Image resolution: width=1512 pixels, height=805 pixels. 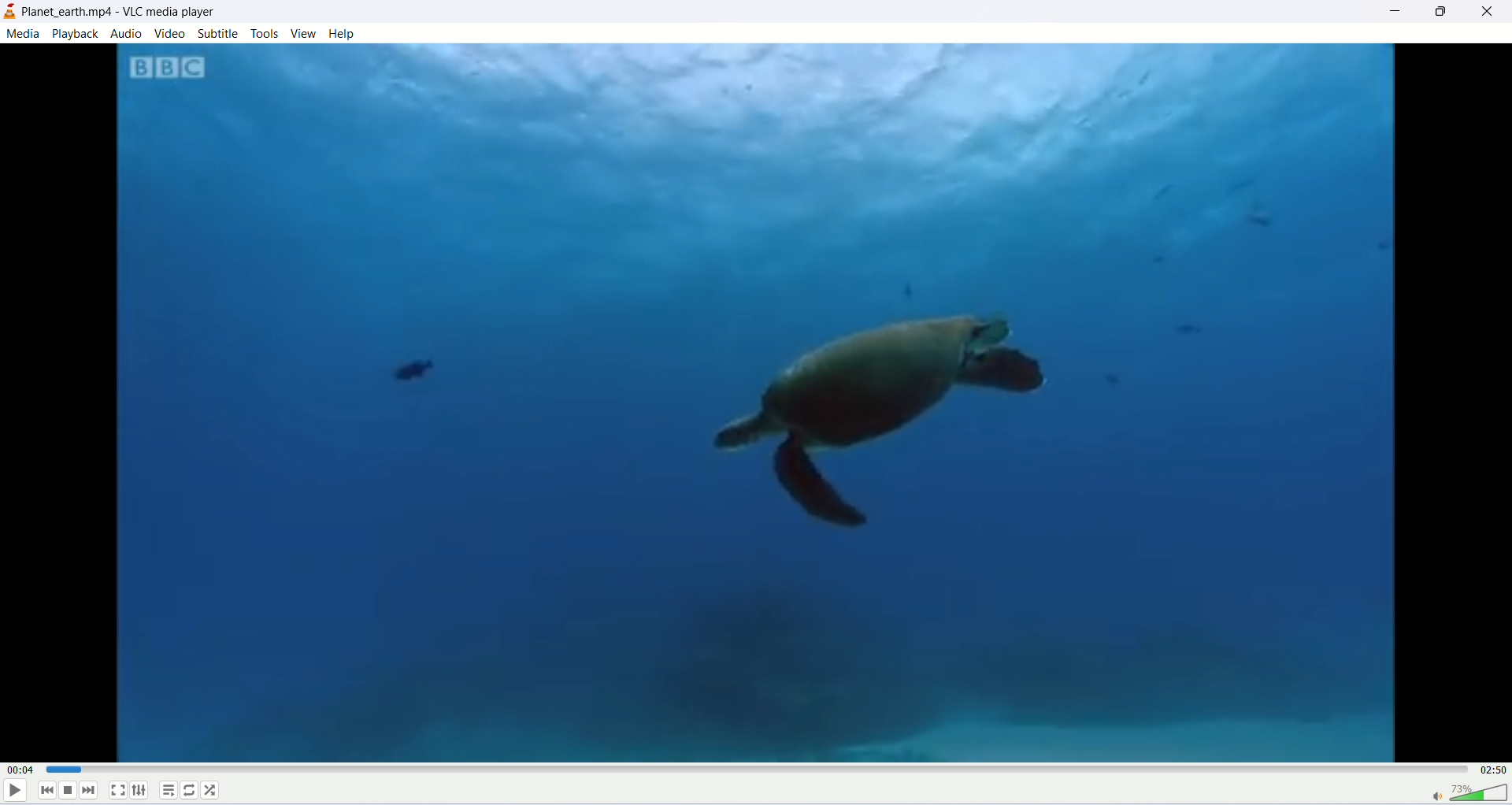 What do you see at coordinates (124, 35) in the screenshot?
I see `audio` at bounding box center [124, 35].